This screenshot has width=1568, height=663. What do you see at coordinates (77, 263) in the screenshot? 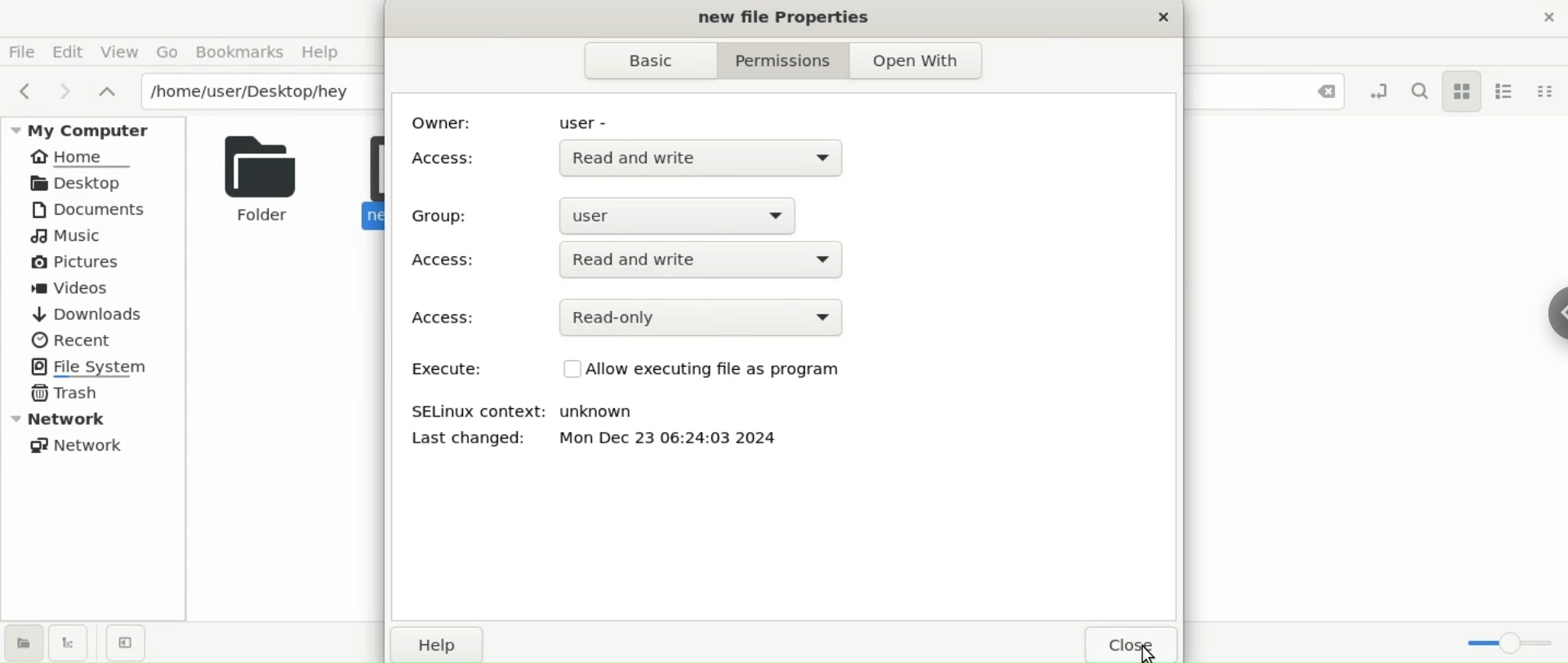
I see `Pictures` at bounding box center [77, 263].